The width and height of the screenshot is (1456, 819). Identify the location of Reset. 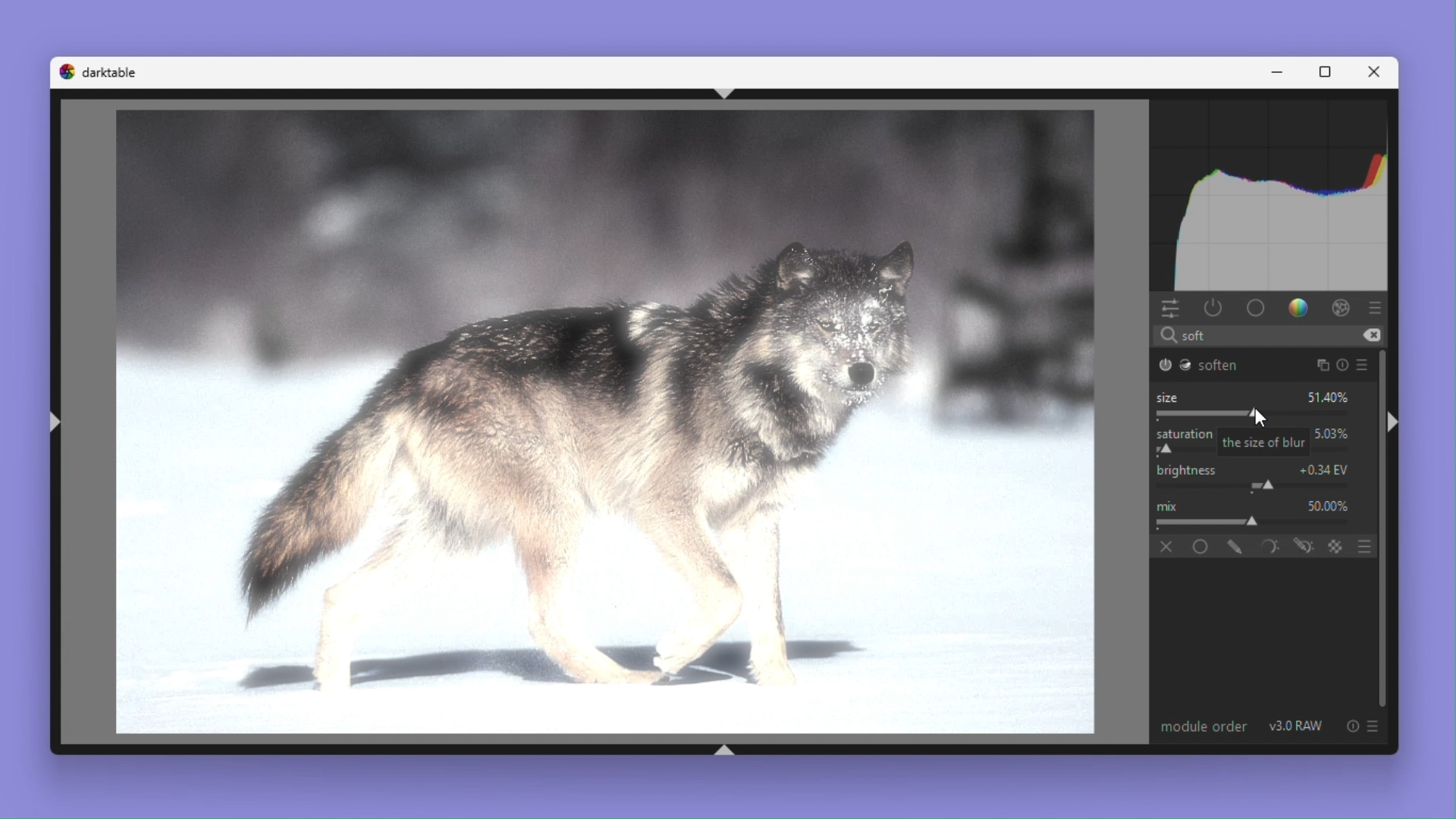
(1344, 366).